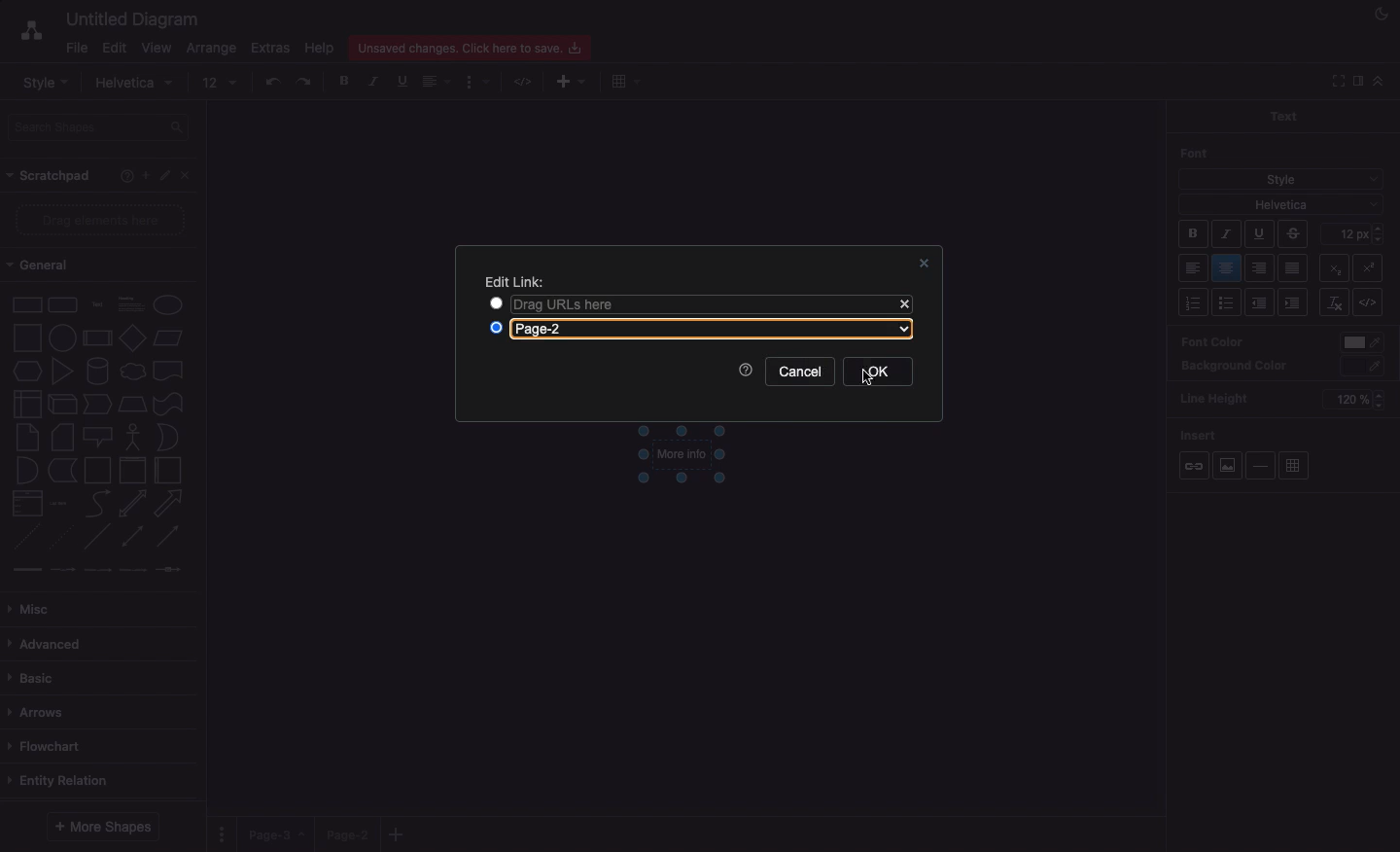 Image resolution: width=1400 pixels, height=852 pixels. I want to click on square, so click(27, 337).